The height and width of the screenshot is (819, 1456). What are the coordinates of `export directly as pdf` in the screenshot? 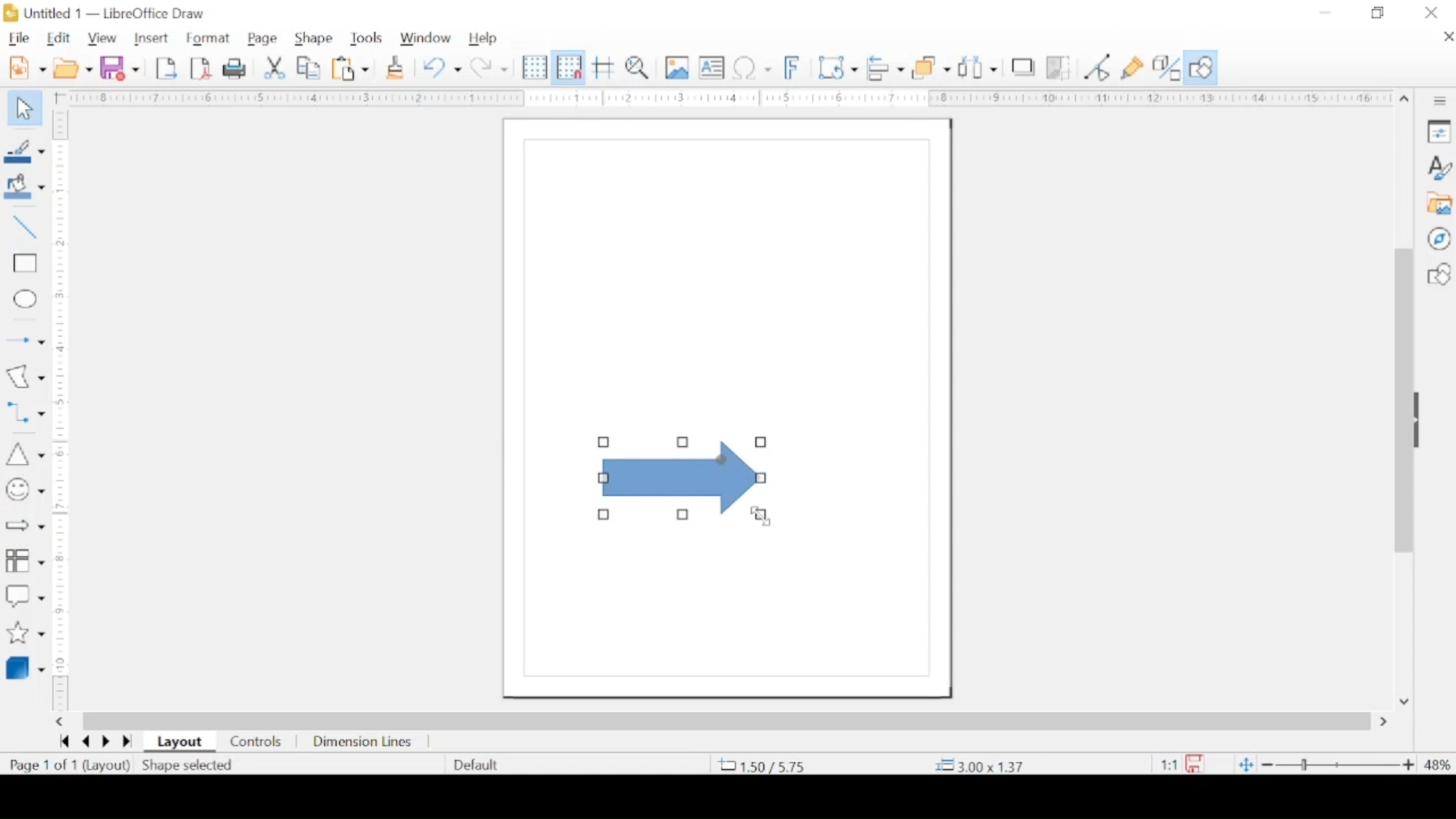 It's located at (200, 69).